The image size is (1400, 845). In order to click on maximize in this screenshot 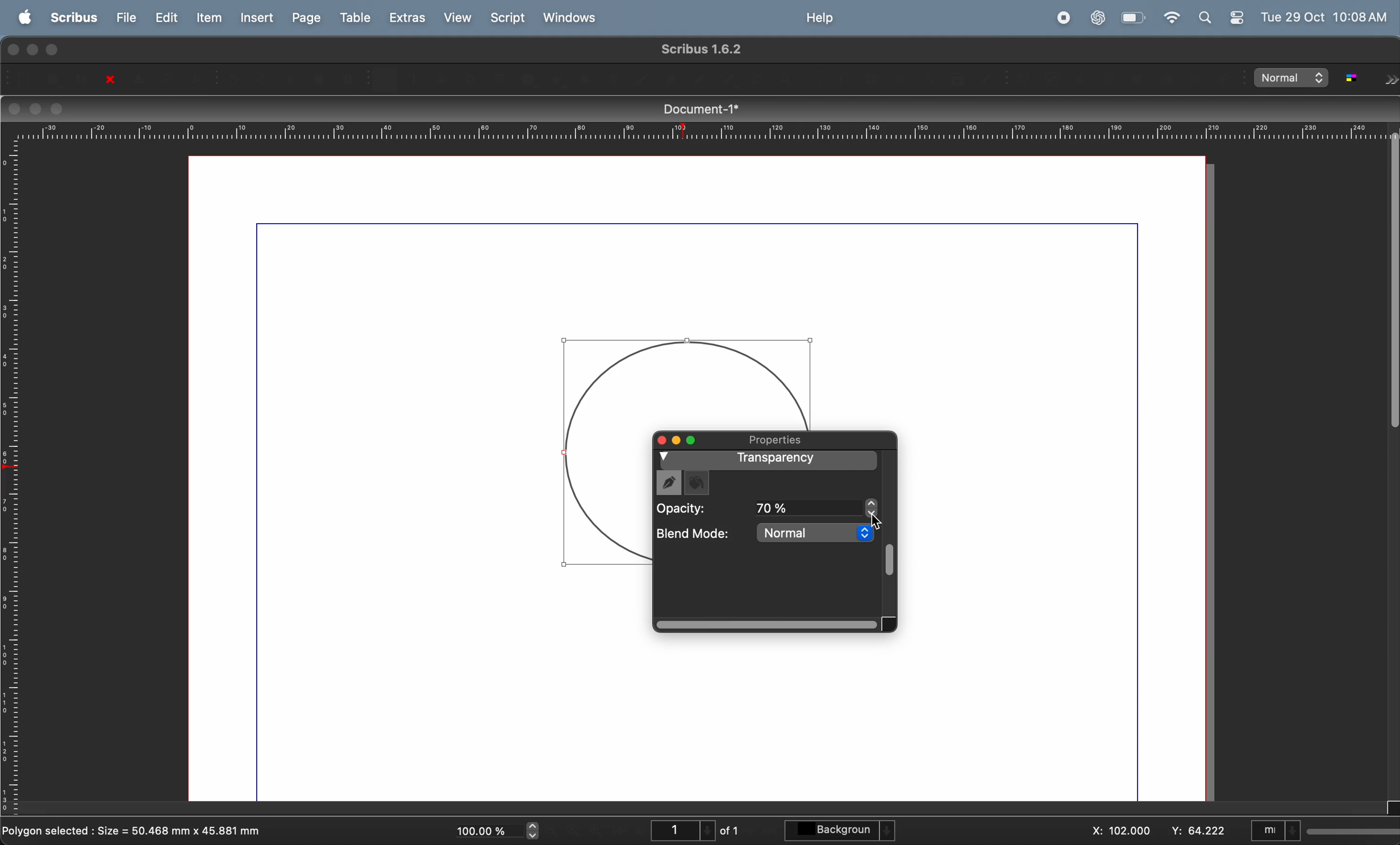, I will do `click(694, 442)`.